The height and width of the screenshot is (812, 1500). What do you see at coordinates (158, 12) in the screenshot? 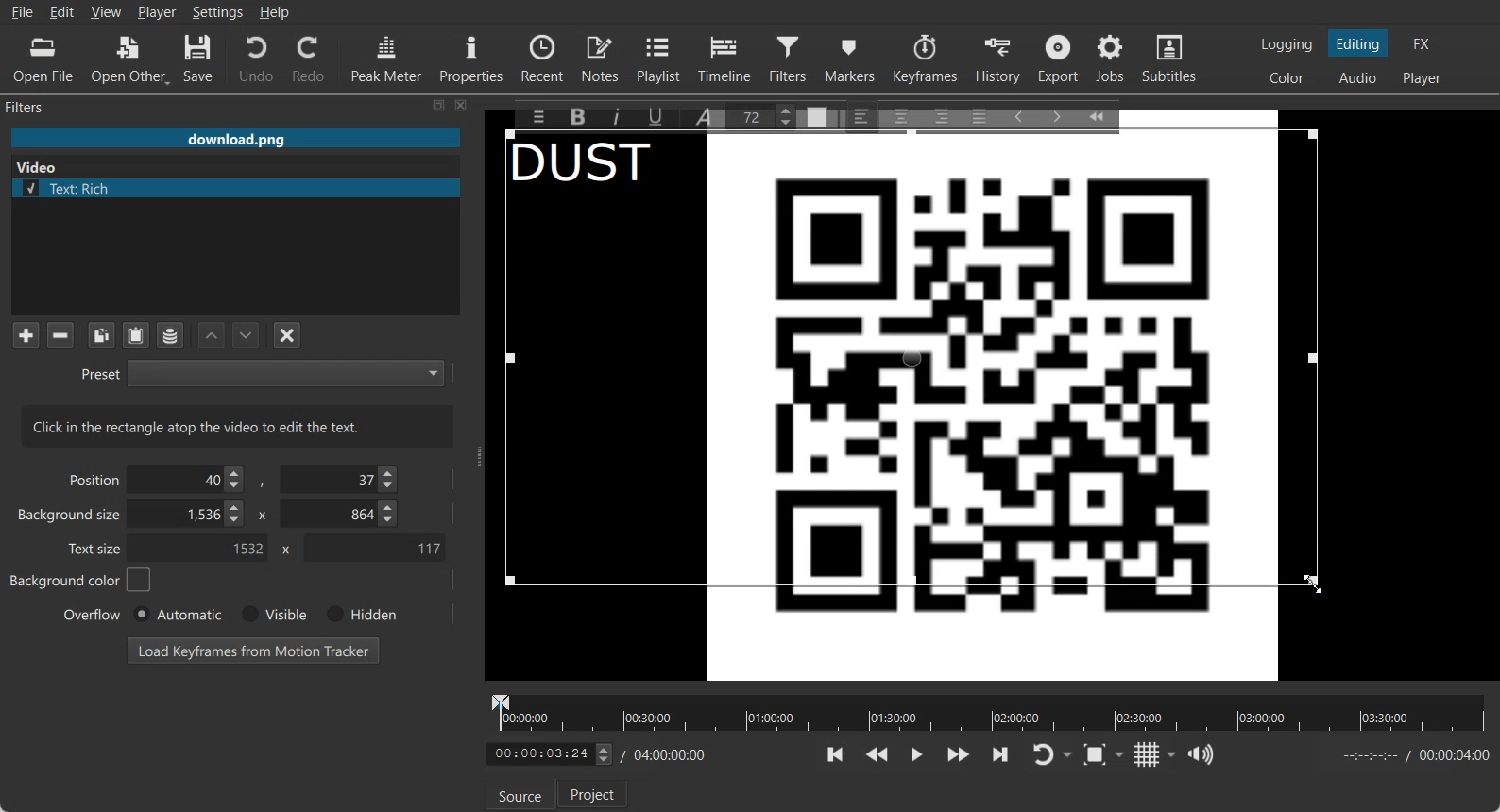
I see `Player` at bounding box center [158, 12].